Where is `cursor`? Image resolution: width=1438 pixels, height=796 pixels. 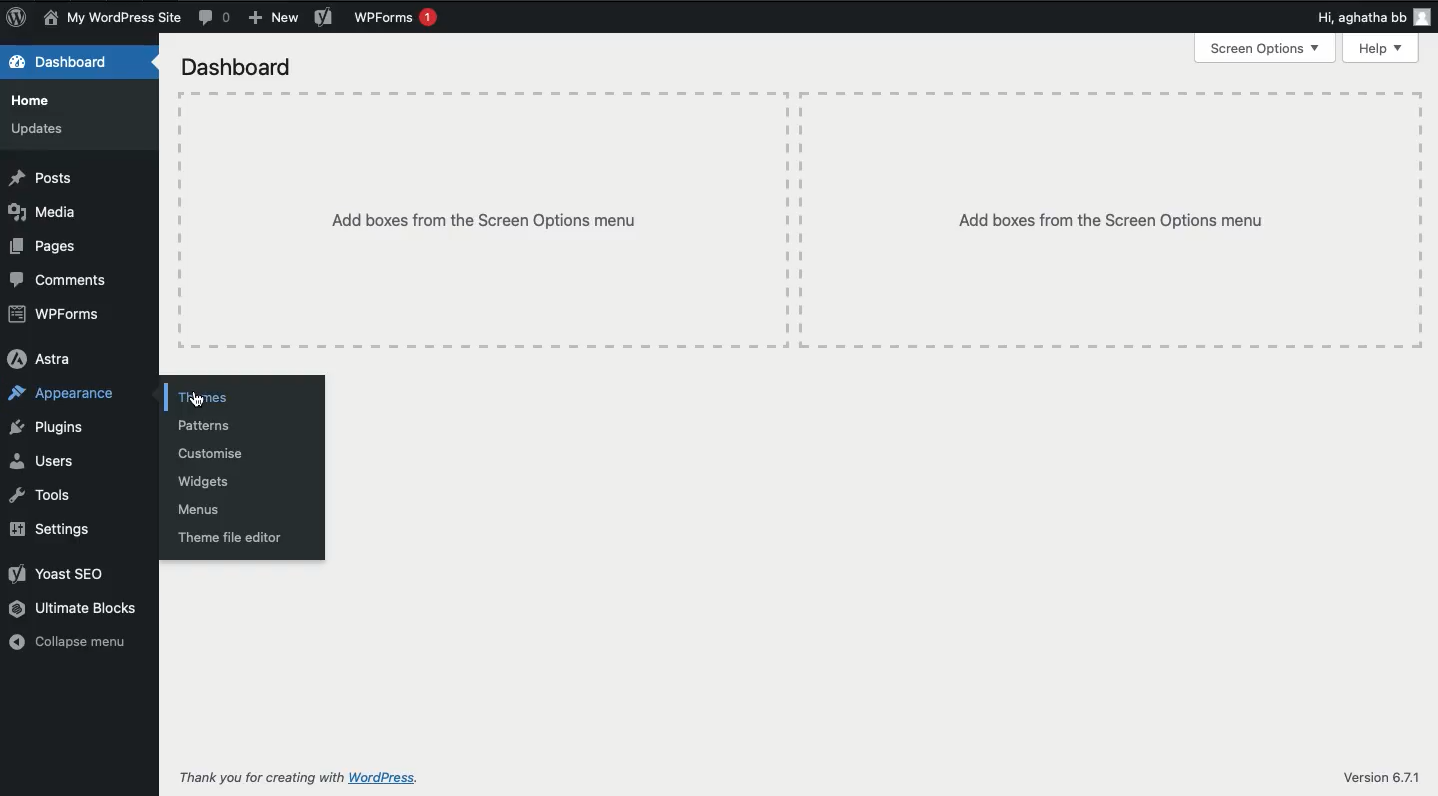
cursor is located at coordinates (195, 398).